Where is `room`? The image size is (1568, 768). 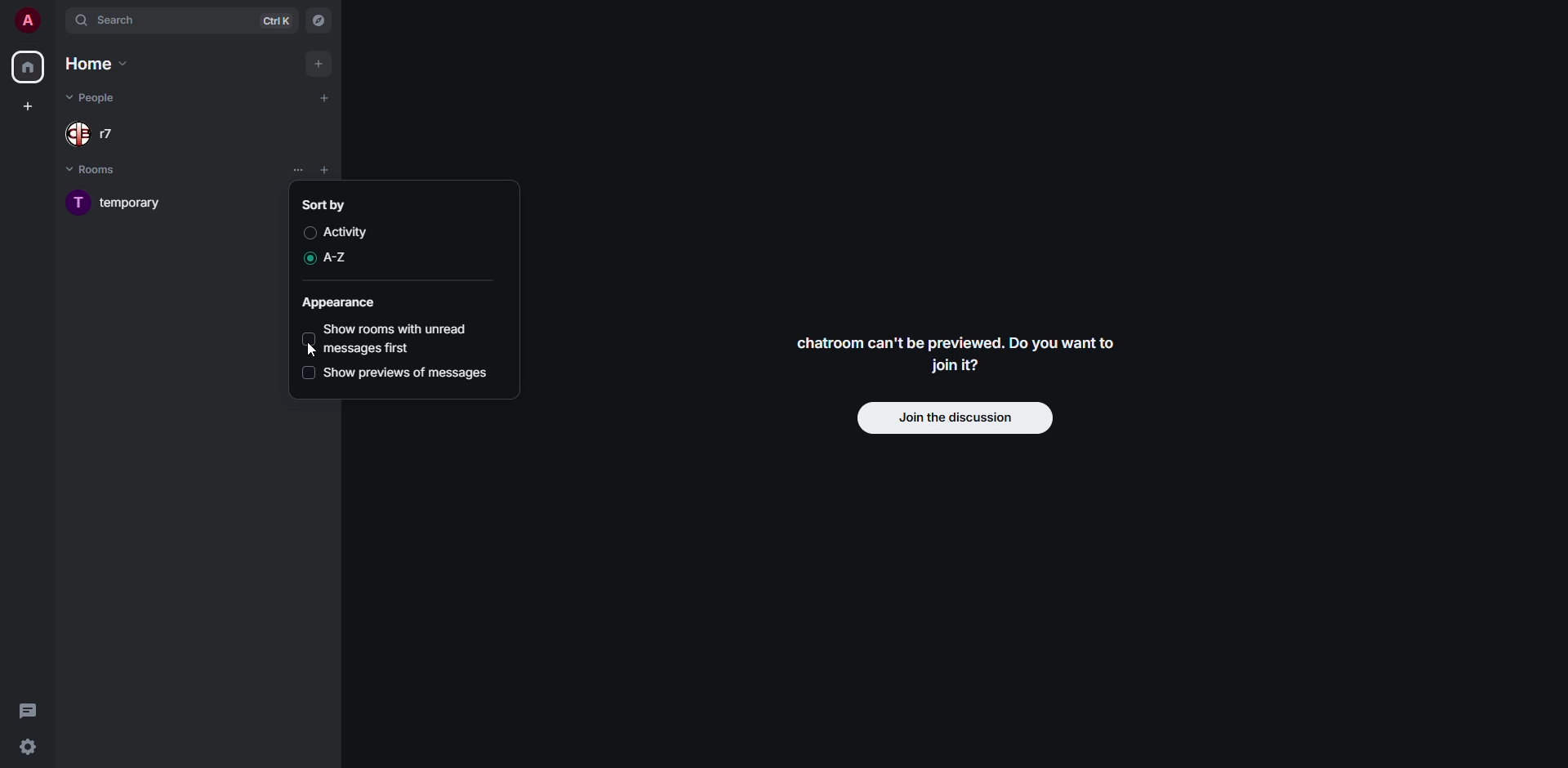 room is located at coordinates (122, 203).